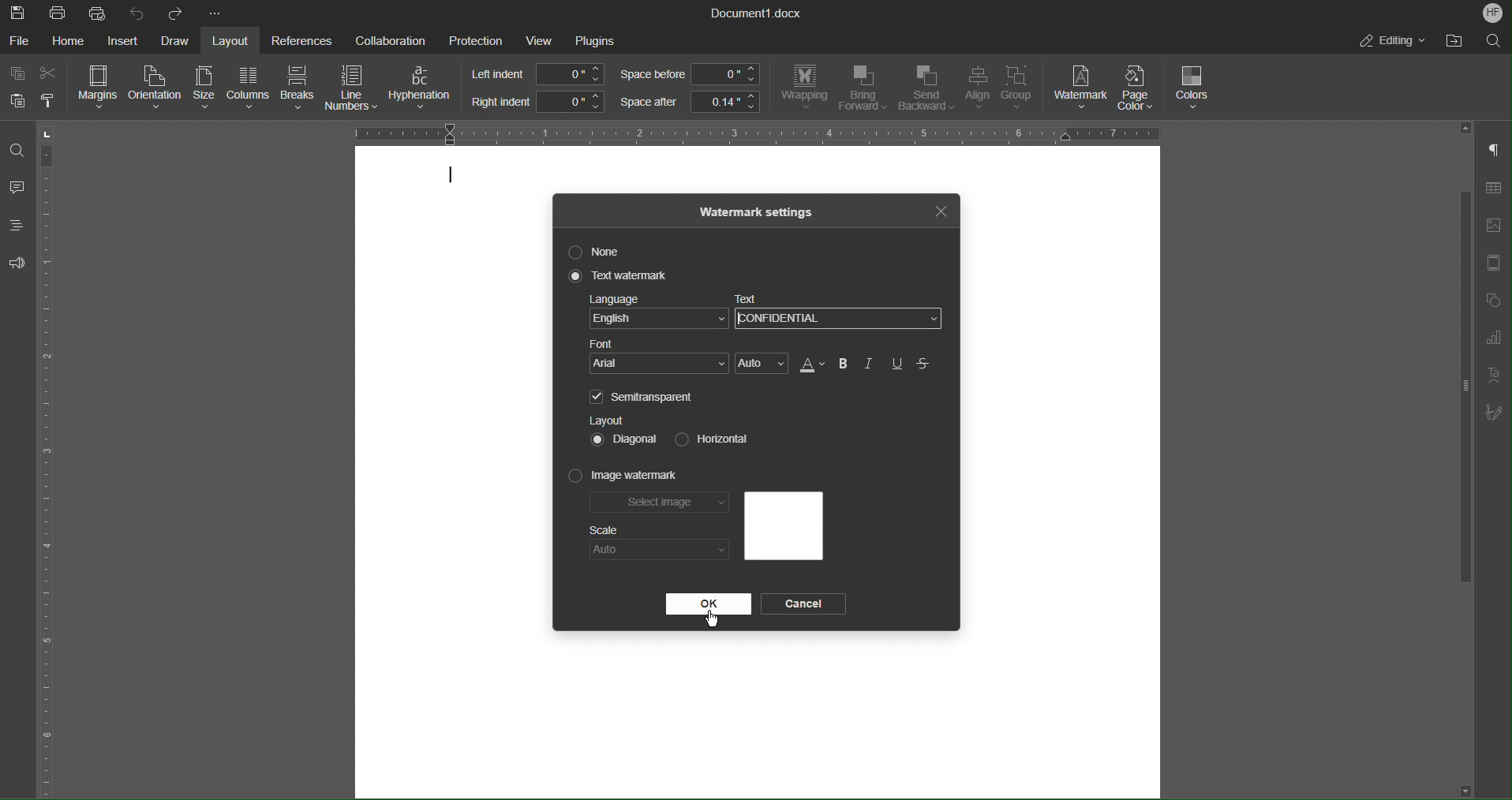 Image resolution: width=1512 pixels, height=800 pixels. I want to click on Wrapping, so click(804, 88).